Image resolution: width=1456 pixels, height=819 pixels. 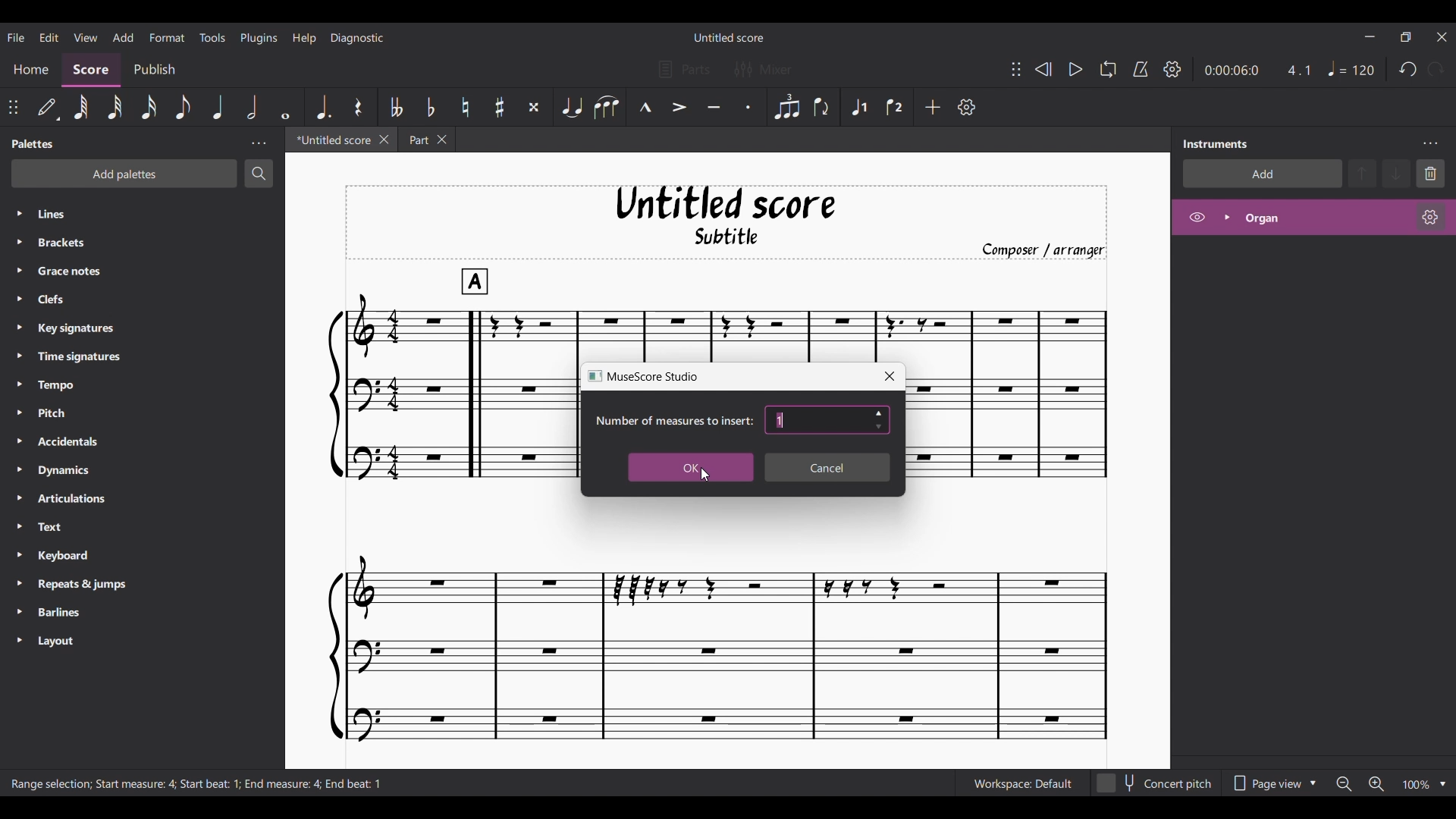 What do you see at coordinates (184, 108) in the screenshot?
I see `8th note` at bounding box center [184, 108].